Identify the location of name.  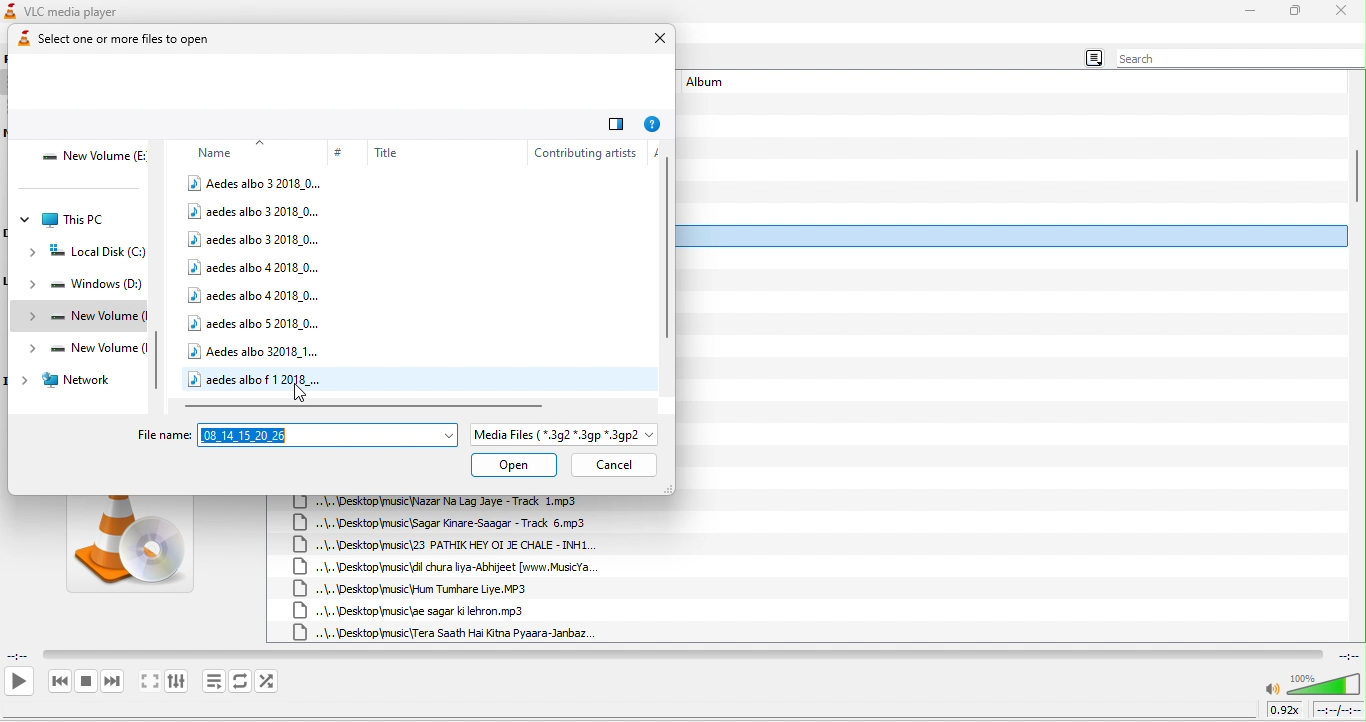
(228, 150).